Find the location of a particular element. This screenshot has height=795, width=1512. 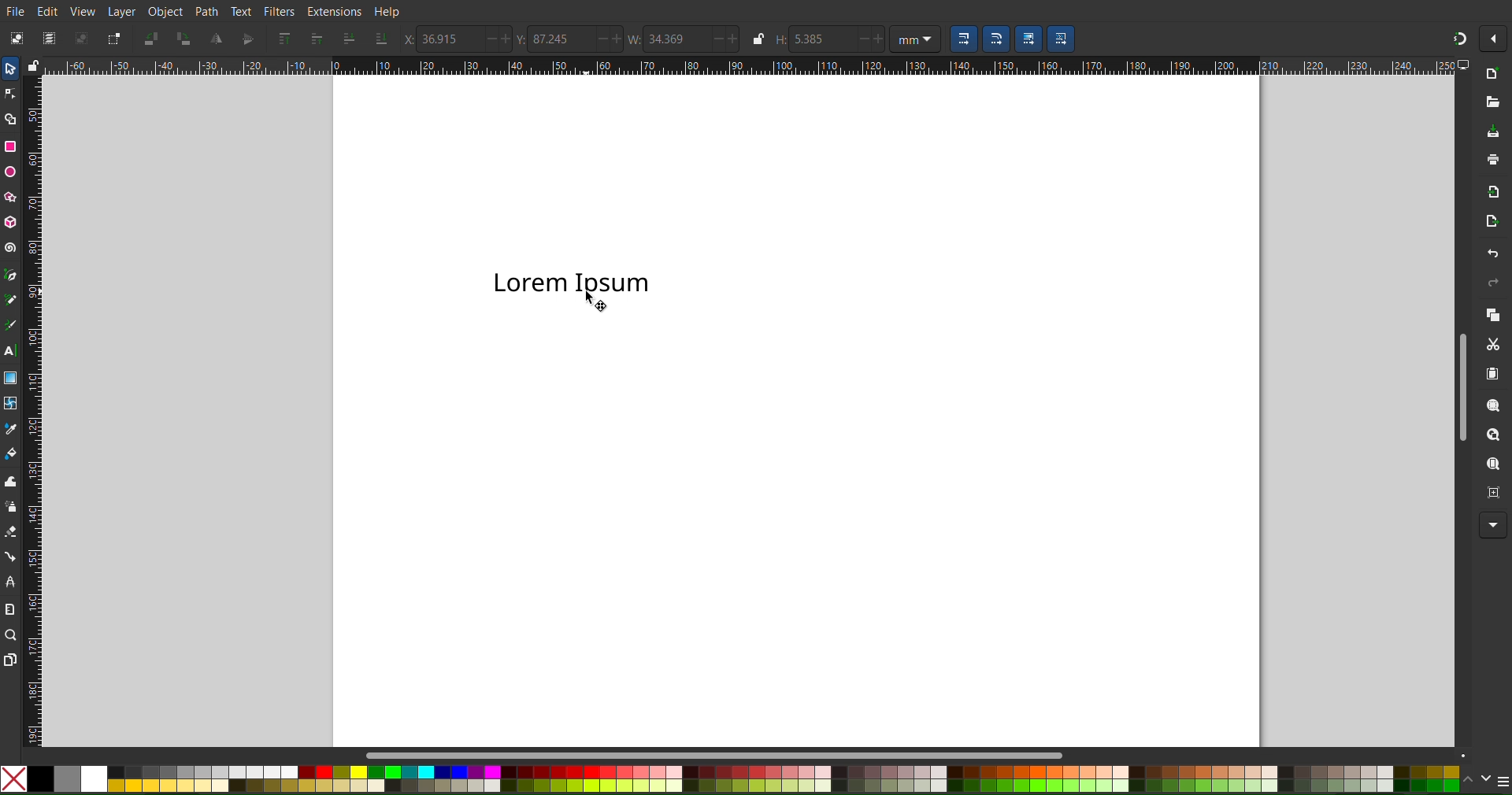

Move one level up is located at coordinates (317, 39).